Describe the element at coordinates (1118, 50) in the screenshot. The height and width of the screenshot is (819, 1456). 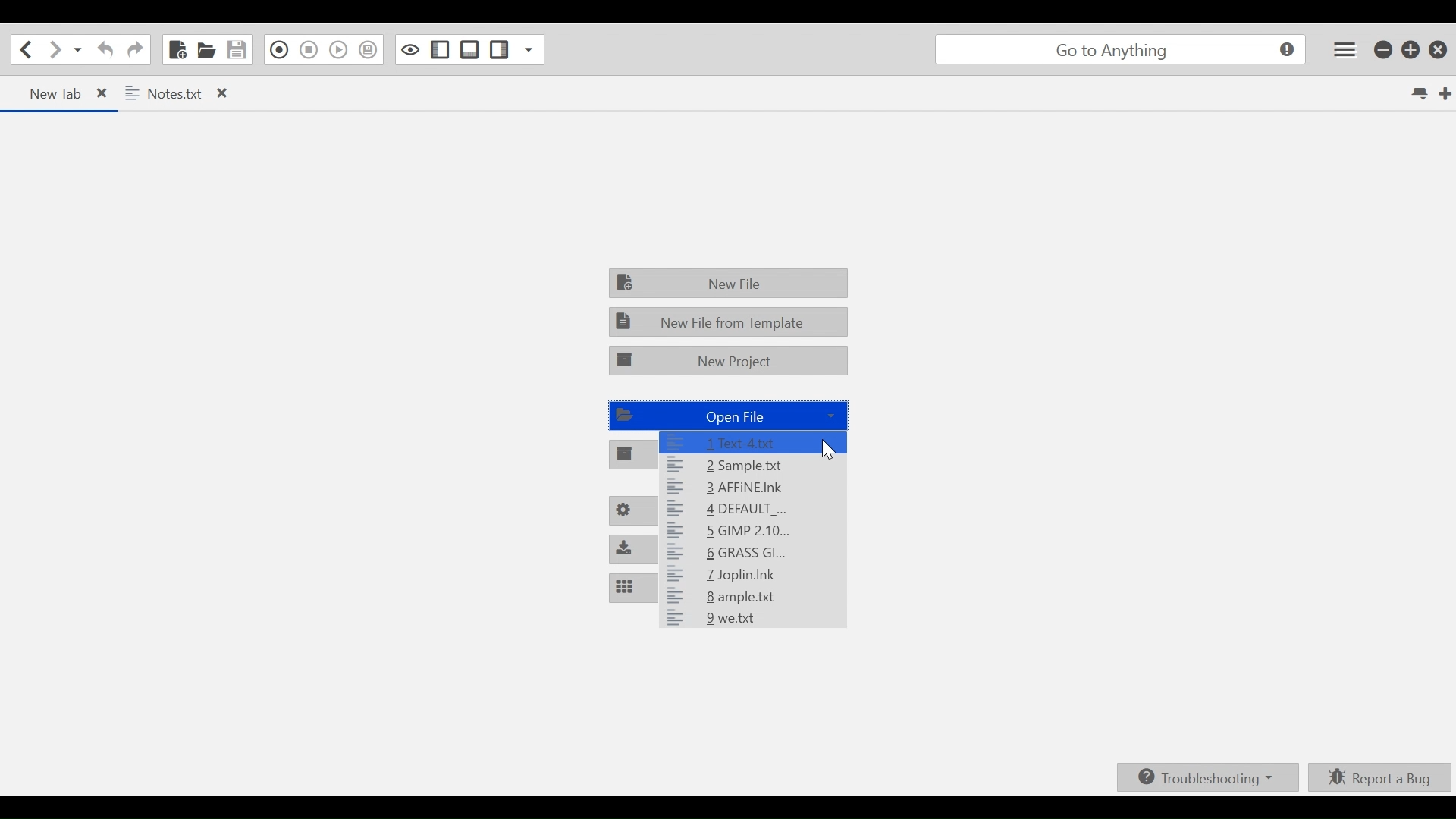
I see `go to anything` at that location.